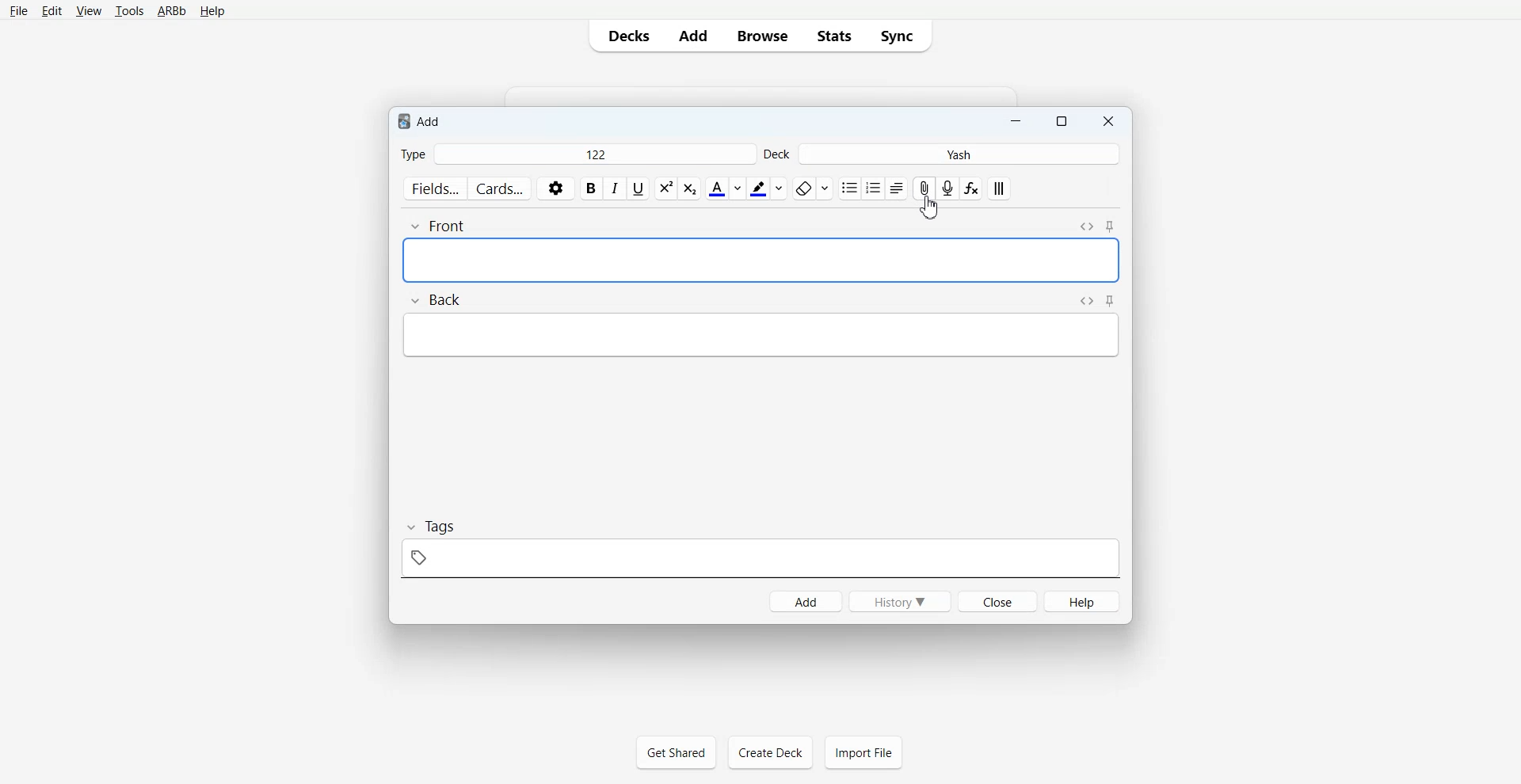 The width and height of the screenshot is (1521, 784). Describe the element at coordinates (1111, 302) in the screenshot. I see `Toggle sticky` at that location.